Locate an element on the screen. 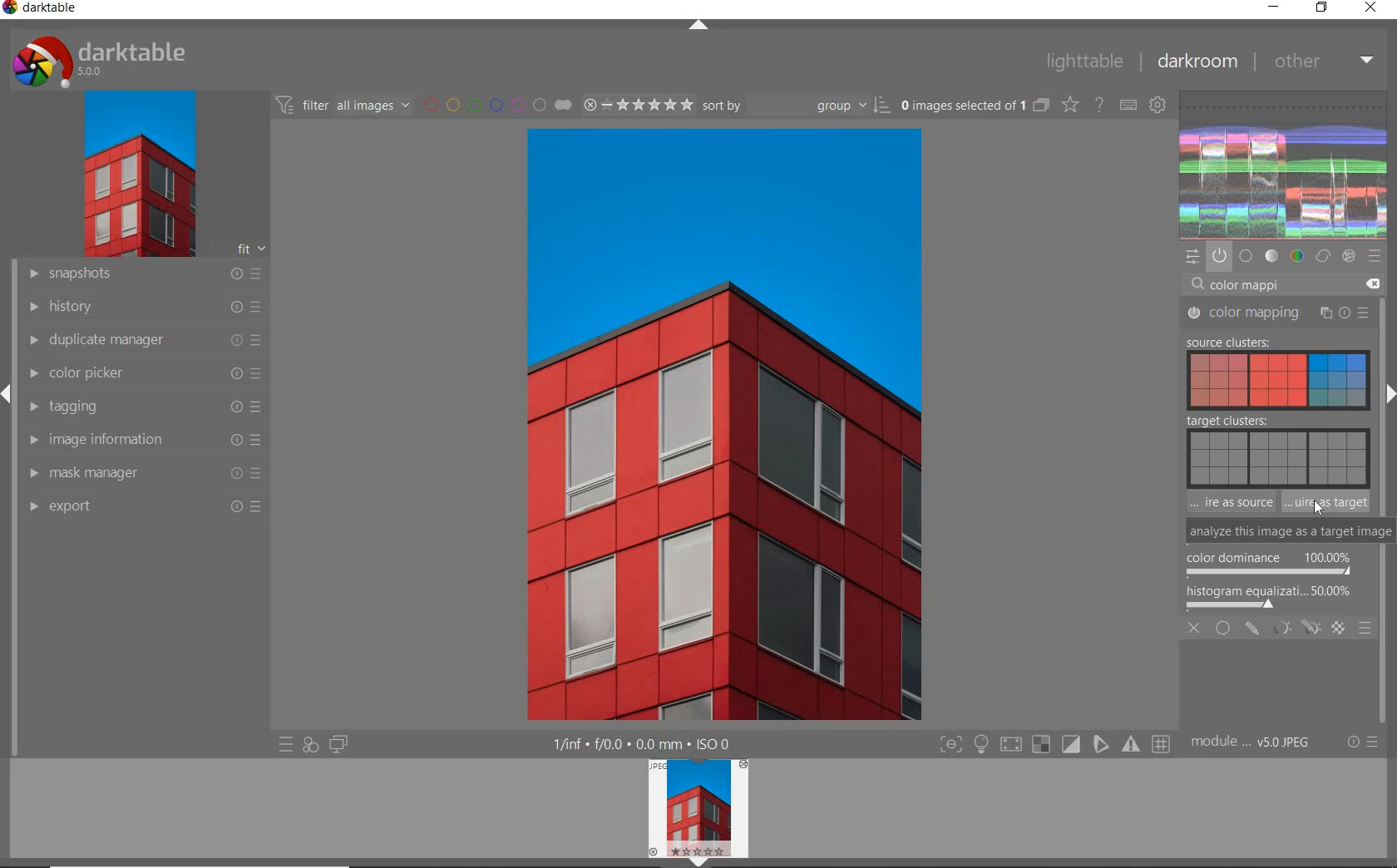 This screenshot has height=868, width=1397. ANALYZE THIS IMAGE AS SOURCE IMAGE is located at coordinates (1230, 530).